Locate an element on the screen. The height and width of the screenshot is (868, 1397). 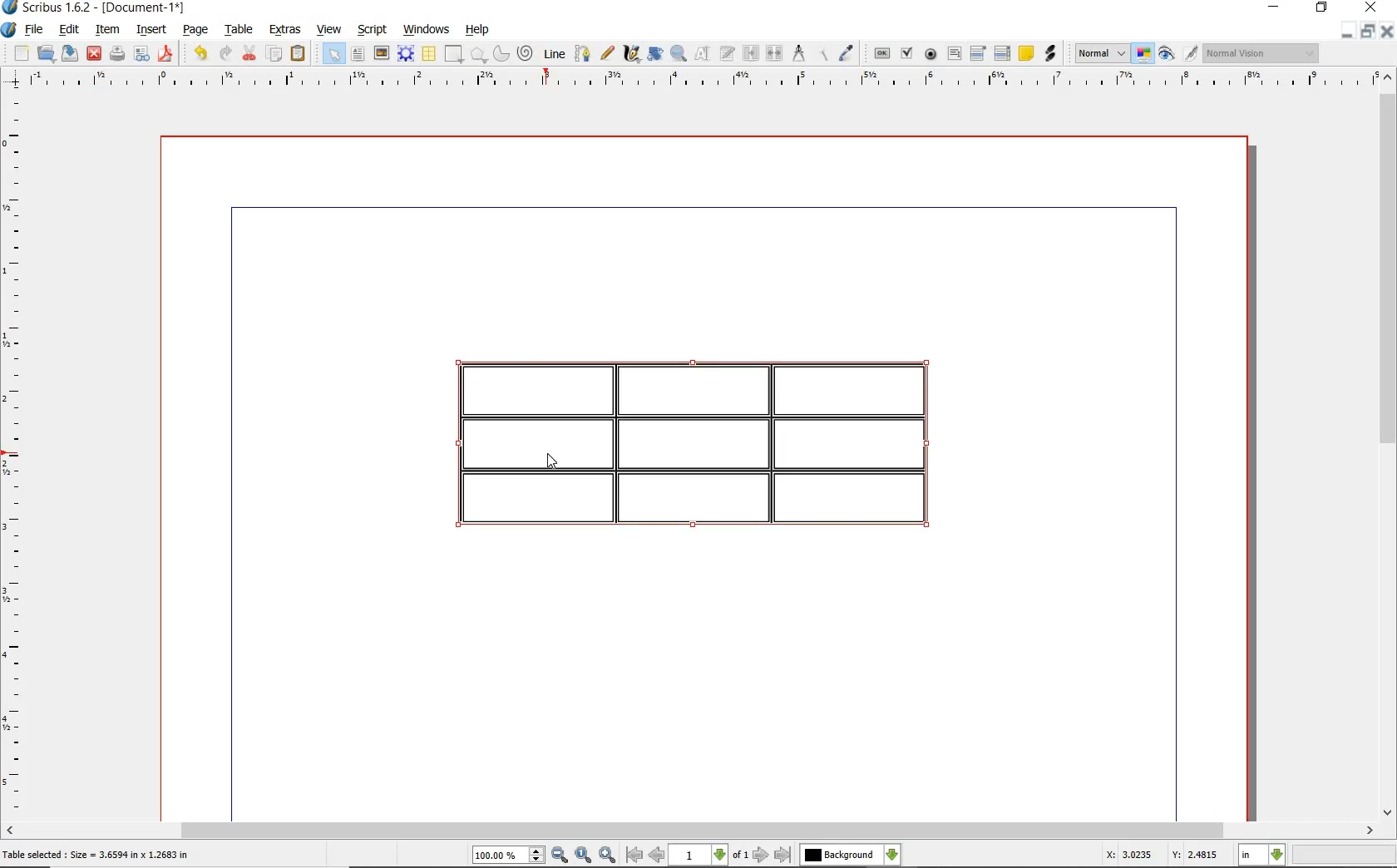
save is located at coordinates (69, 53).